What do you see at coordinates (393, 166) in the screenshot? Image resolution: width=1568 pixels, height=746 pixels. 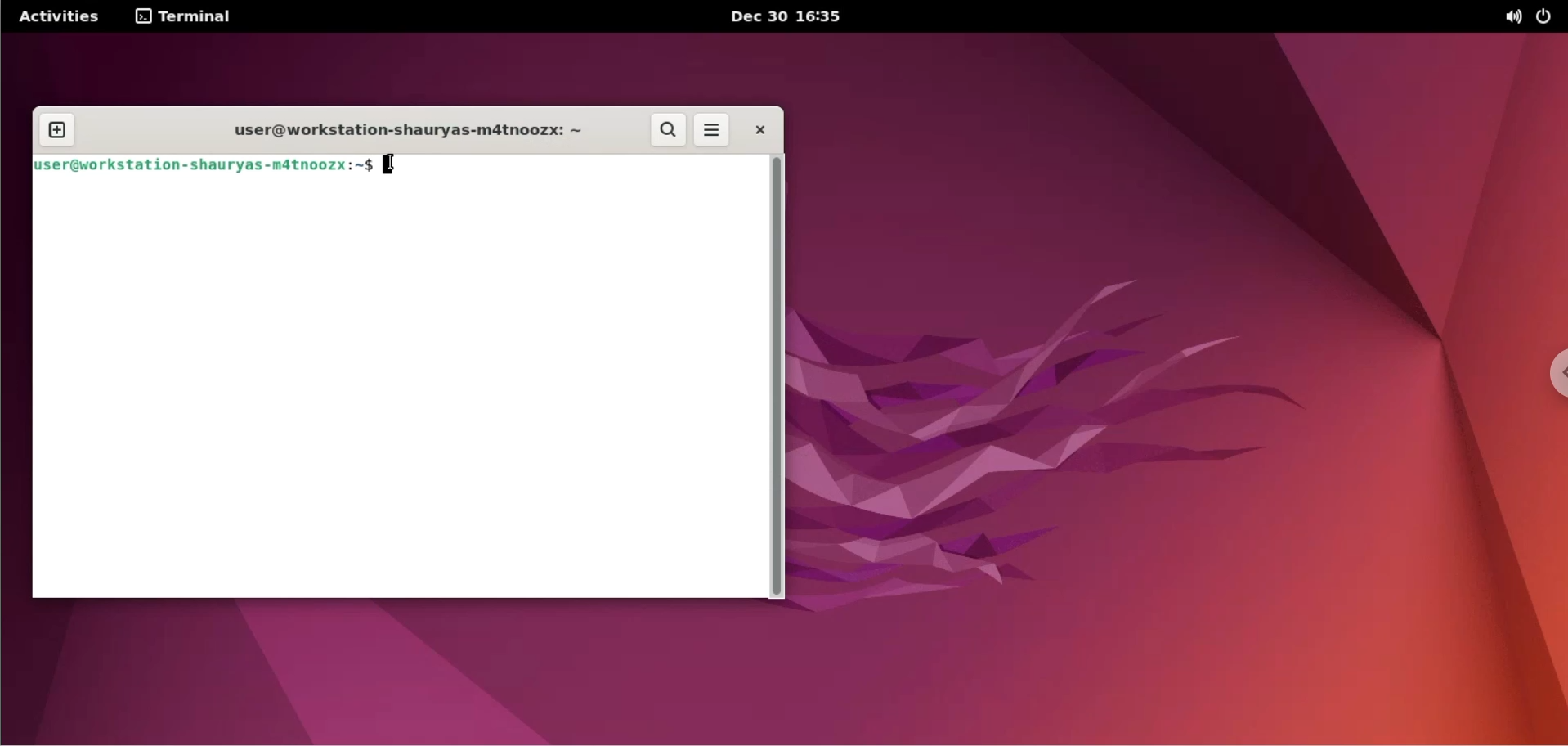 I see `cursor` at bounding box center [393, 166].